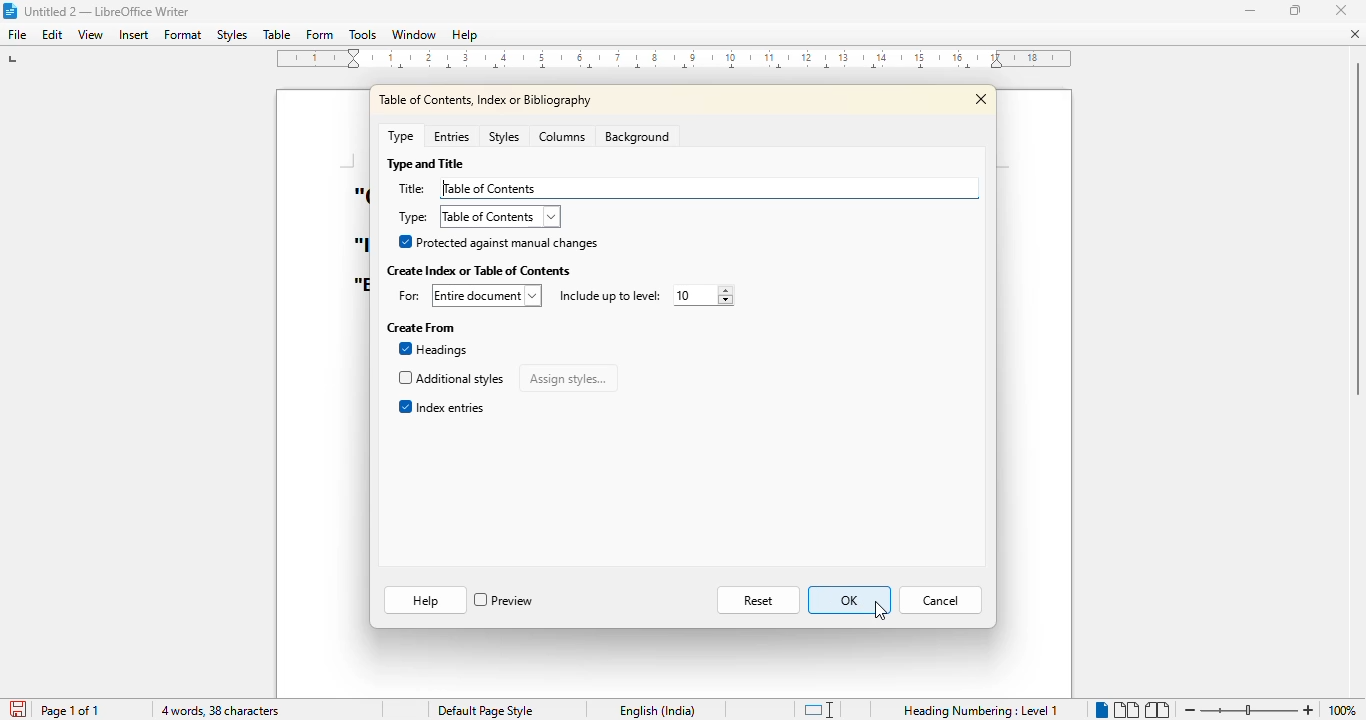 This screenshot has height=720, width=1366. What do you see at coordinates (819, 709) in the screenshot?
I see `standard selection` at bounding box center [819, 709].